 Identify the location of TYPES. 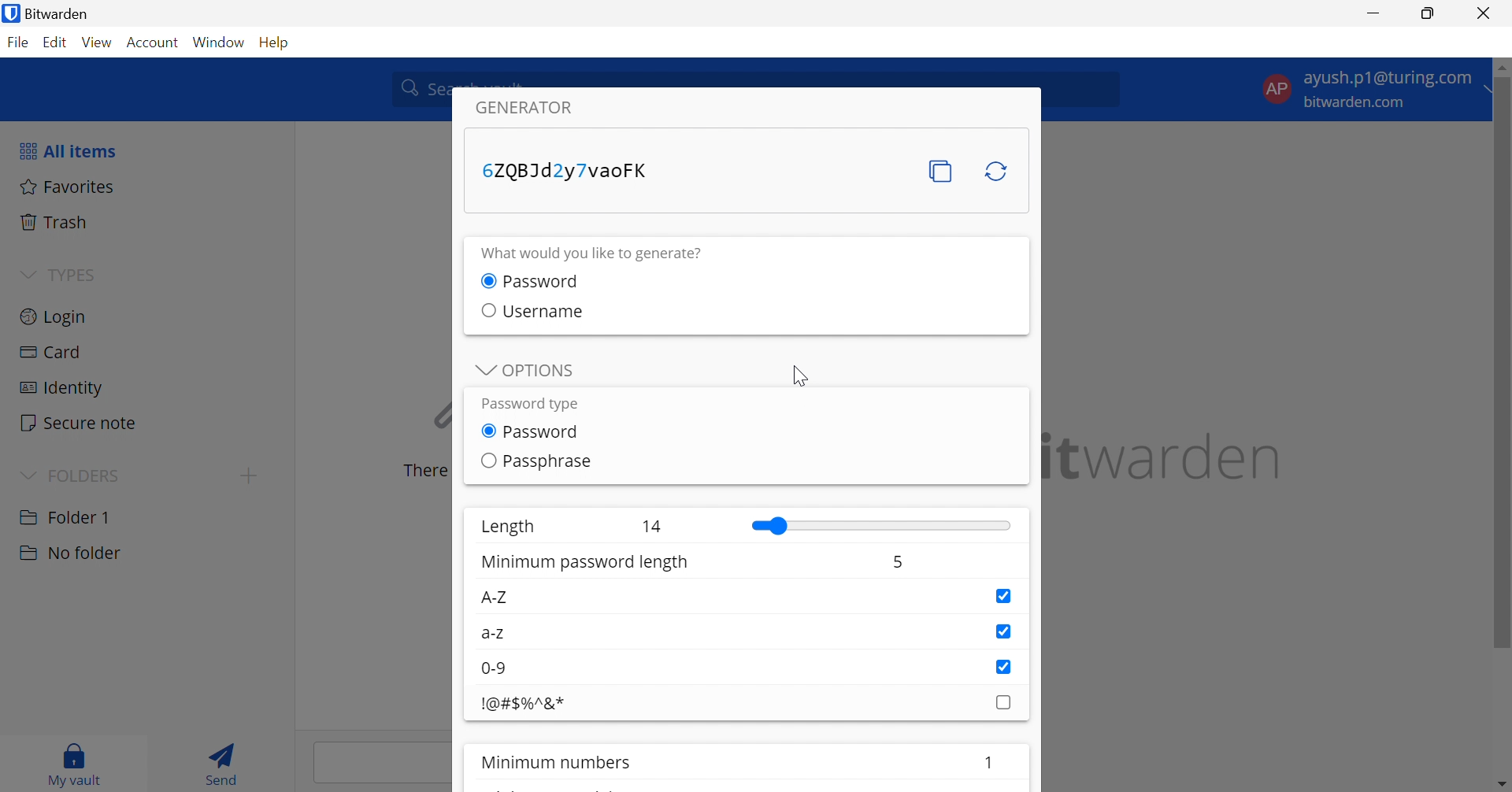
(73, 274).